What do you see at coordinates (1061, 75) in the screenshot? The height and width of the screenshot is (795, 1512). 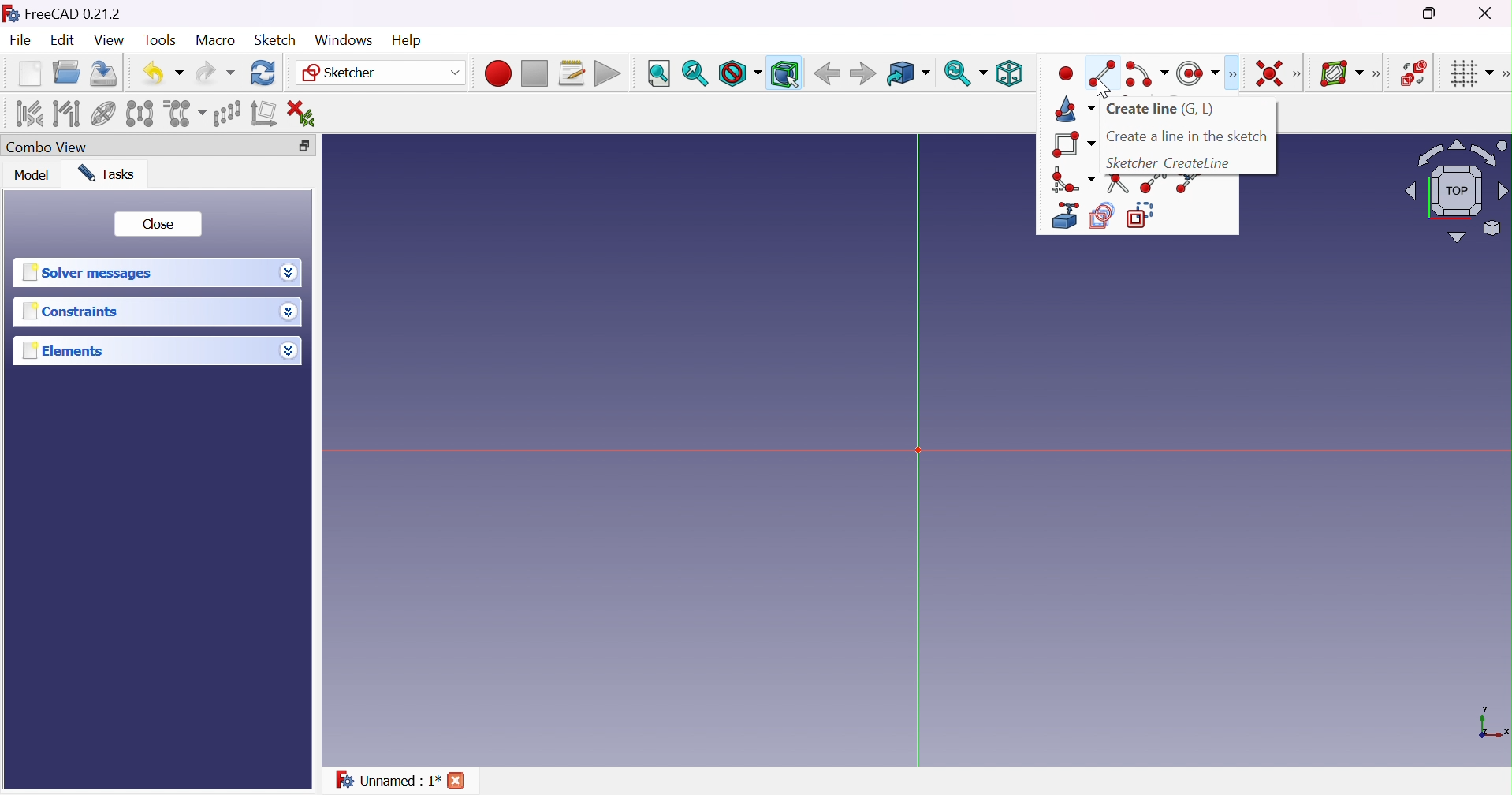 I see `create point` at bounding box center [1061, 75].